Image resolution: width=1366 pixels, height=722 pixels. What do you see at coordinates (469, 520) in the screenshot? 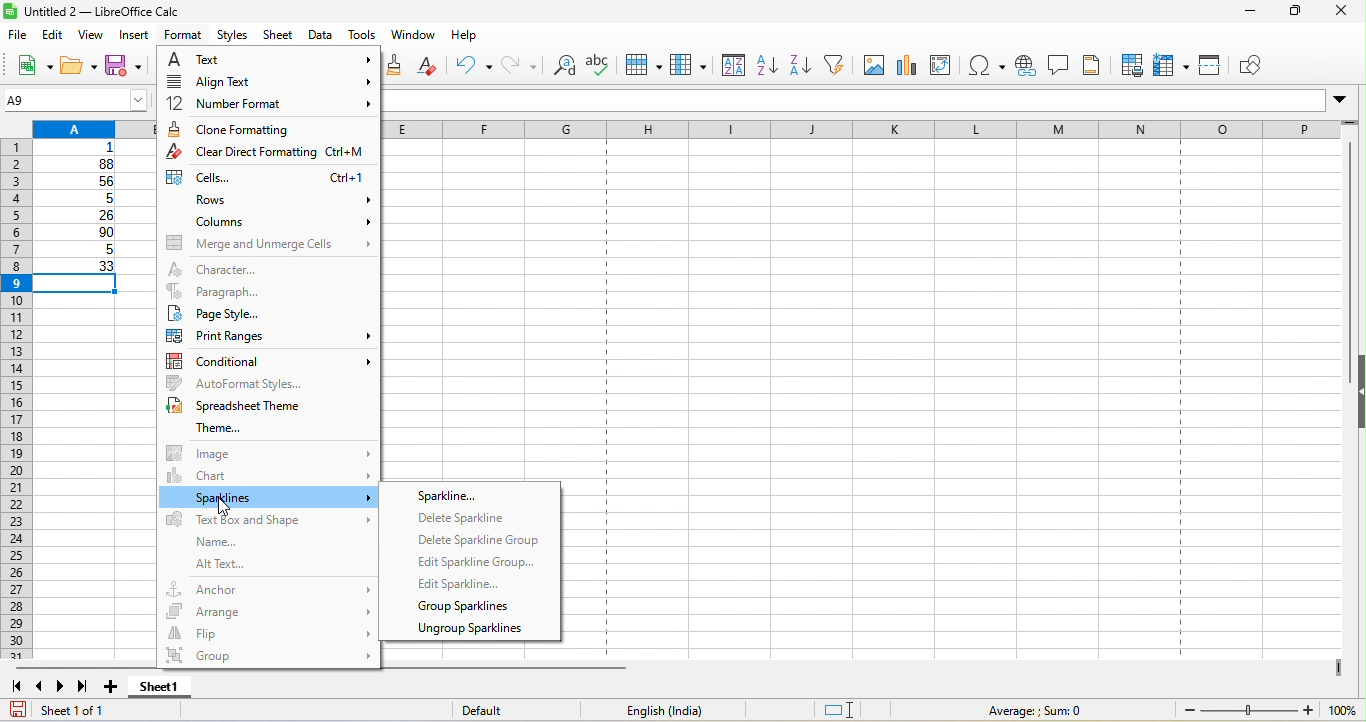
I see `delete sparkline` at bounding box center [469, 520].